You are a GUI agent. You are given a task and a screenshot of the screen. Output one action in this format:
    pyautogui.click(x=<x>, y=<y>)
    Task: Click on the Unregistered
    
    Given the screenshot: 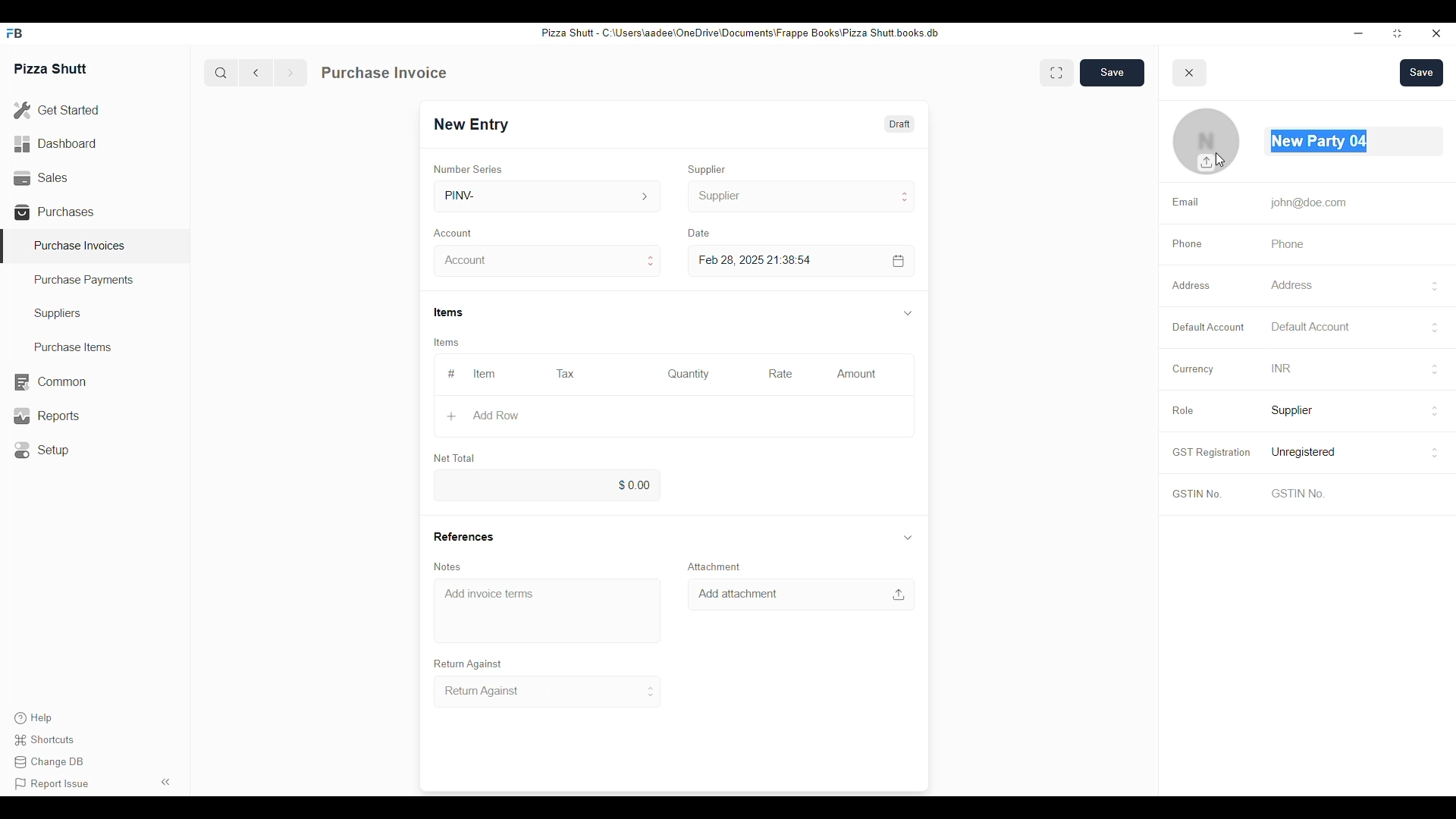 What is the action you would take?
    pyautogui.click(x=1305, y=452)
    